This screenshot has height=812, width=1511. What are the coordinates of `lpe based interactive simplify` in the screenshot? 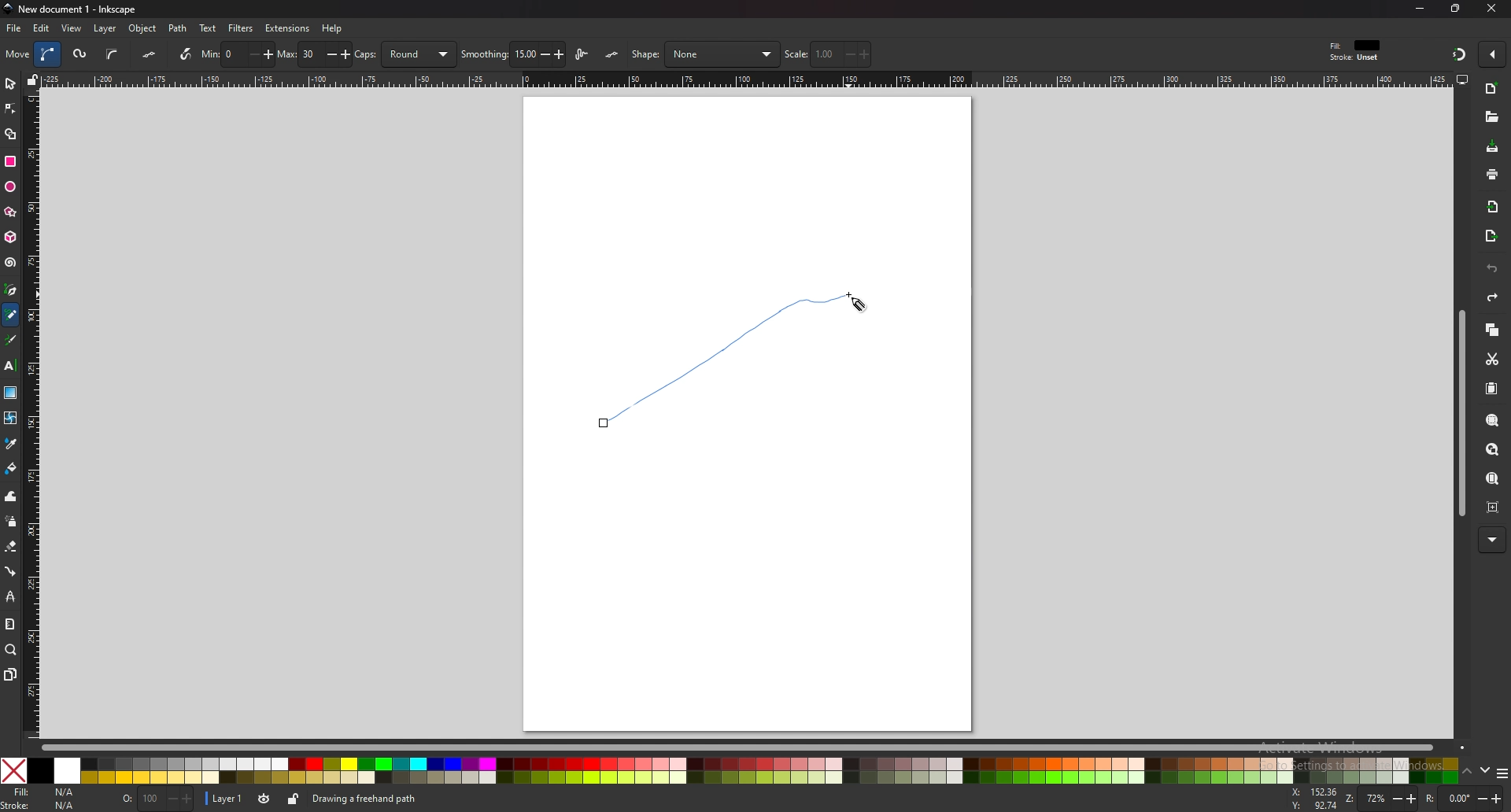 It's located at (584, 53).